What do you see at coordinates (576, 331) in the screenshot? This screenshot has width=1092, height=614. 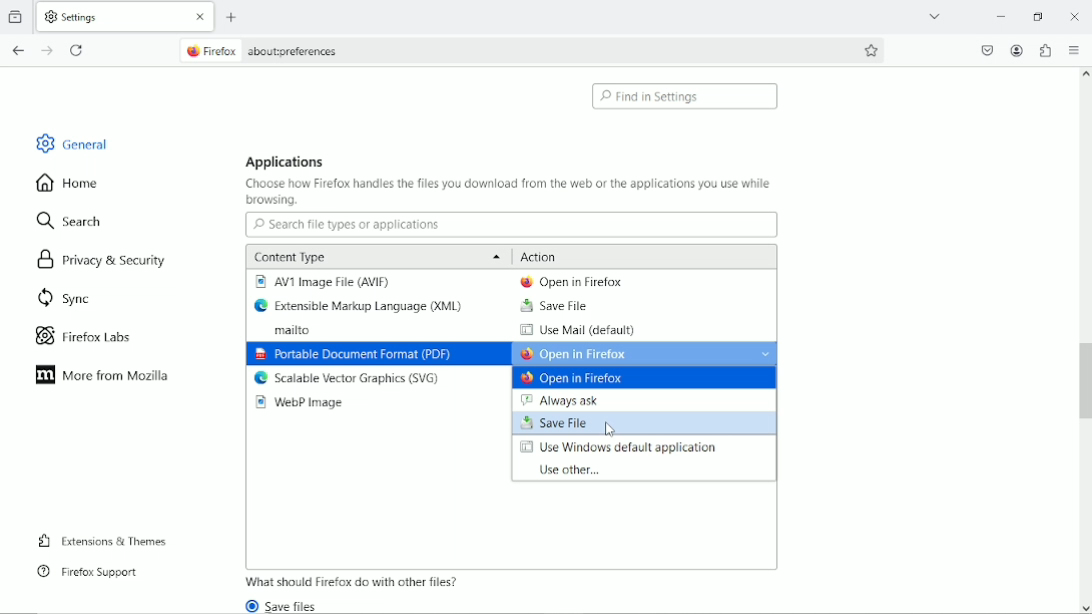 I see `Use mail (default)` at bounding box center [576, 331].